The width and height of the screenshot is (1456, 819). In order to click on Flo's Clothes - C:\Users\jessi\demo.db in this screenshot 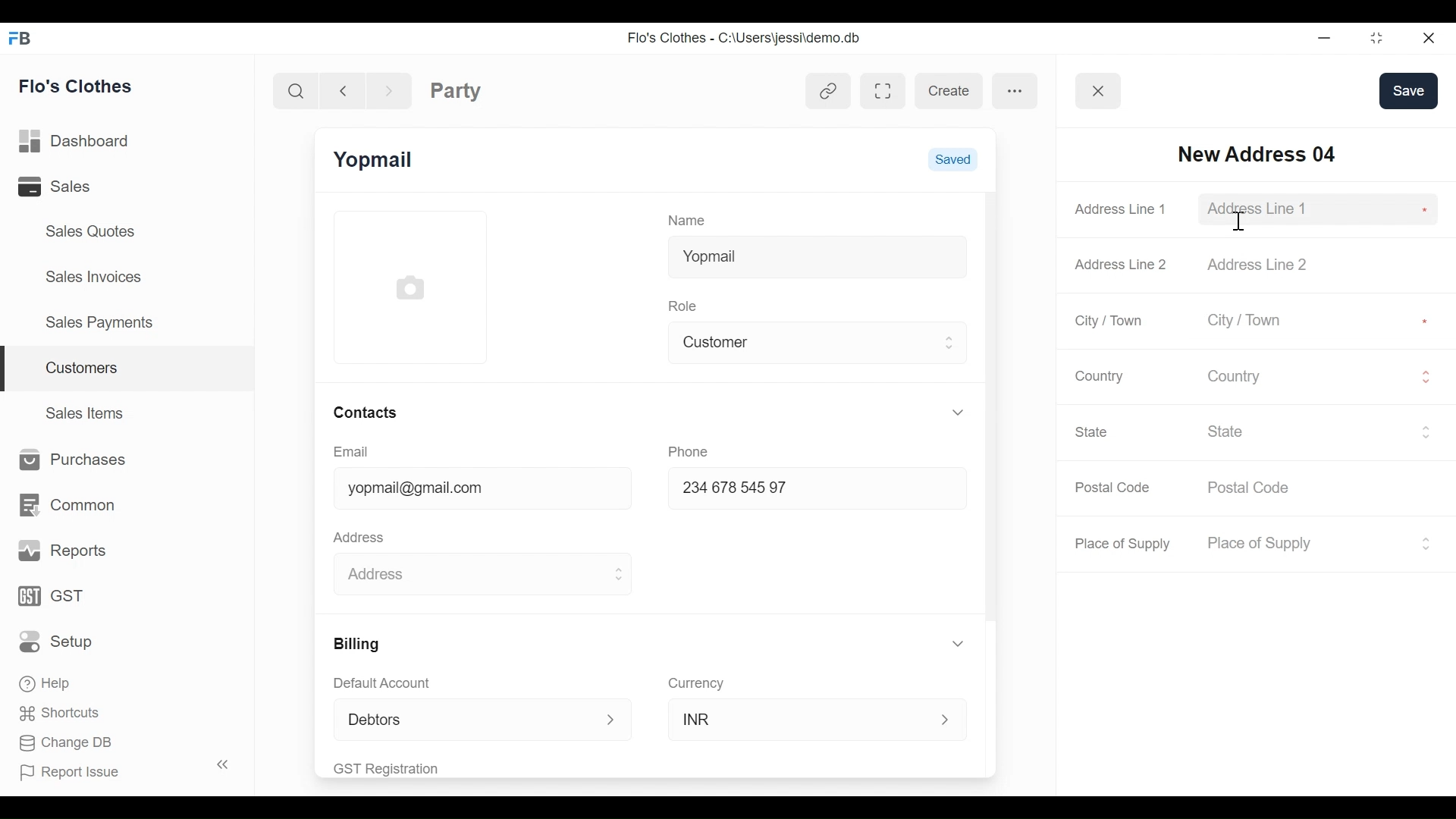, I will do `click(746, 39)`.